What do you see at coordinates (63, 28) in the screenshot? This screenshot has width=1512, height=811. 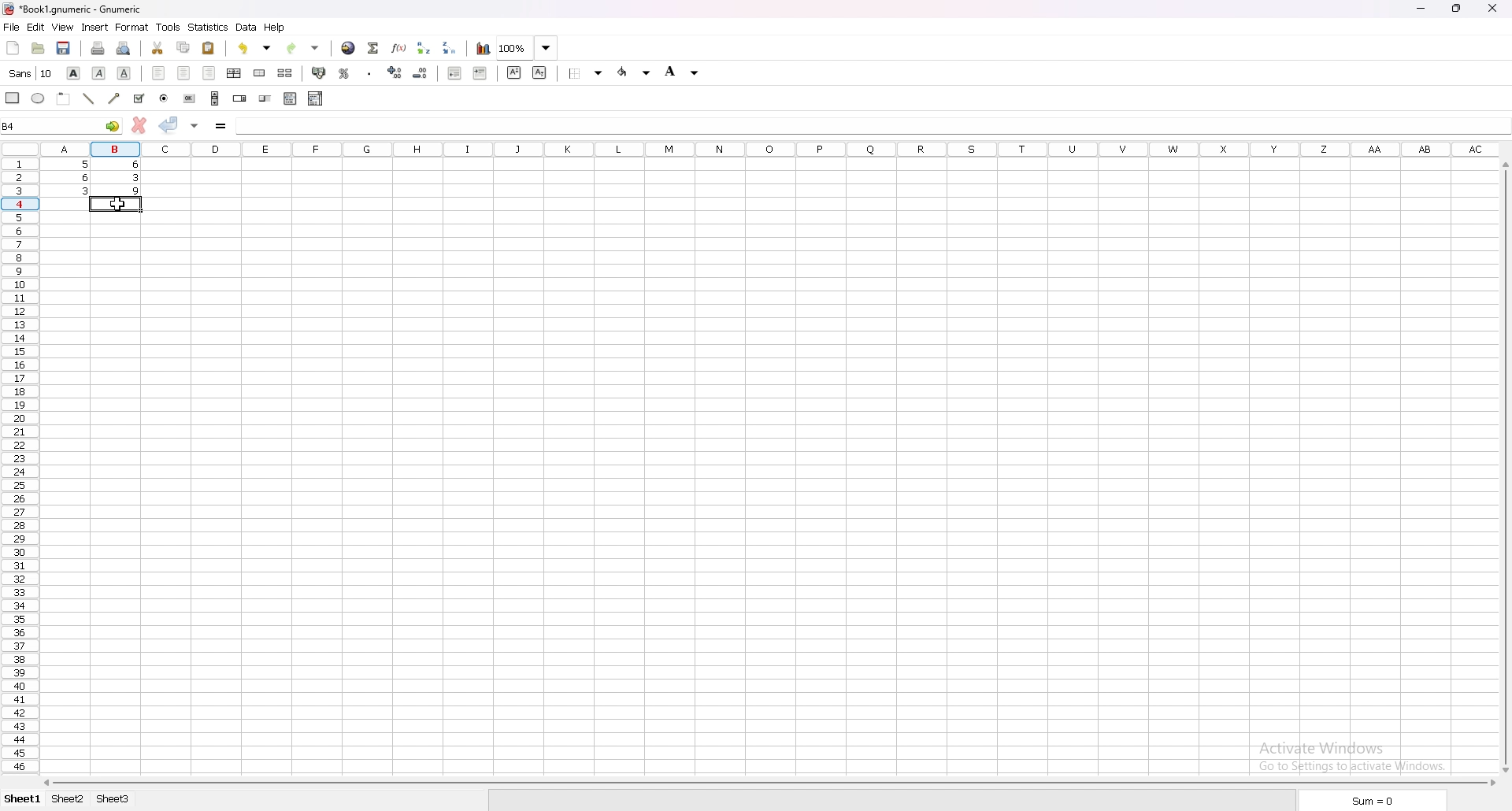 I see `view` at bounding box center [63, 28].